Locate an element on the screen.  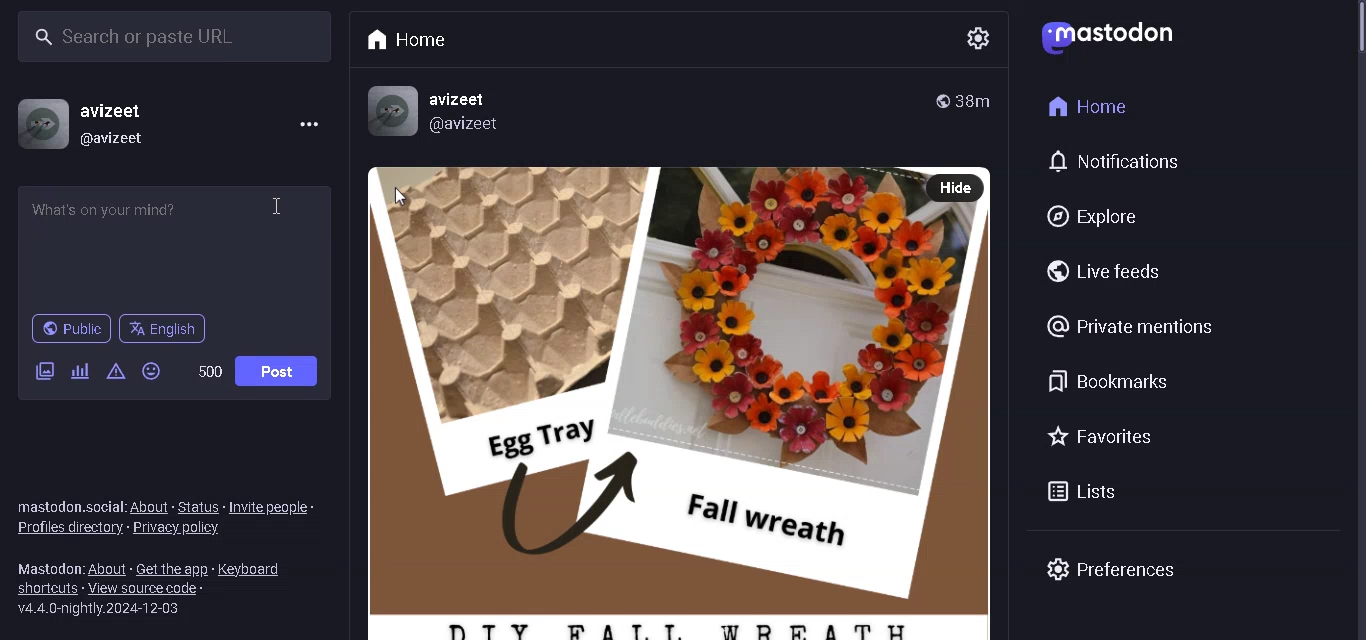
explore is located at coordinates (1086, 218).